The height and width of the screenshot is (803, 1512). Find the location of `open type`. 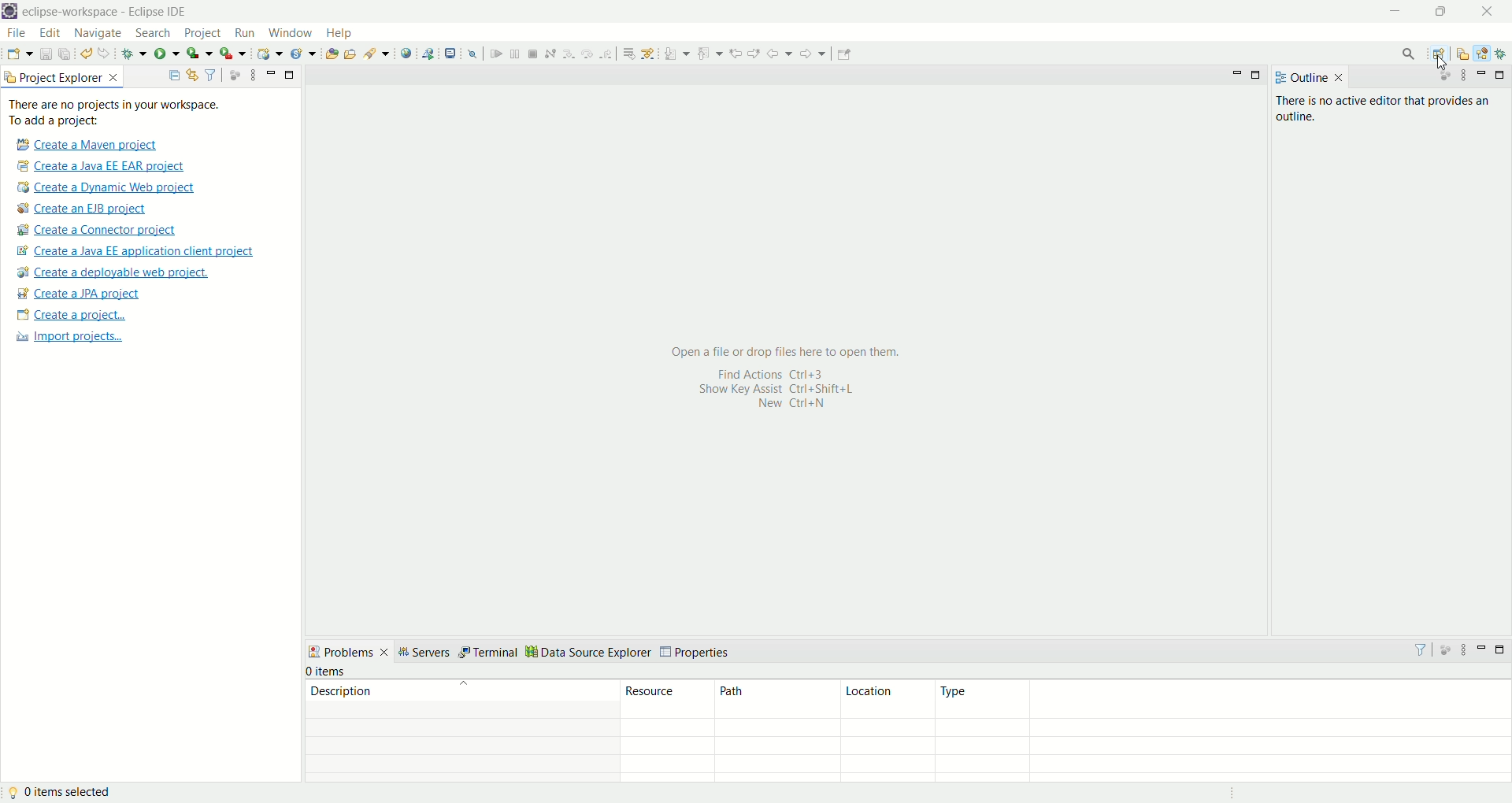

open type is located at coordinates (331, 55).